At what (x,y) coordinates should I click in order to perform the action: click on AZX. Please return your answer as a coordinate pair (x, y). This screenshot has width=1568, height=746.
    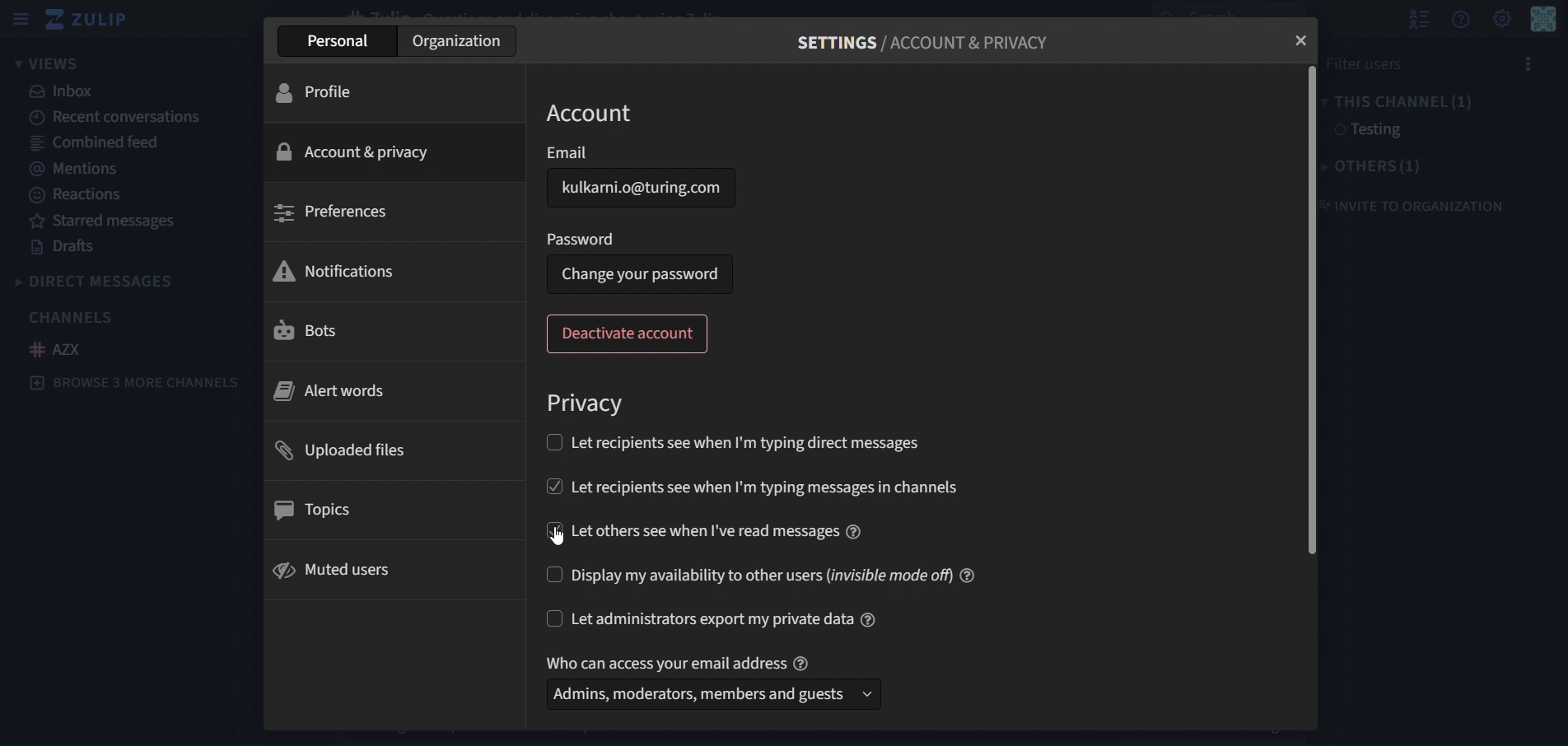
    Looking at the image, I should click on (62, 350).